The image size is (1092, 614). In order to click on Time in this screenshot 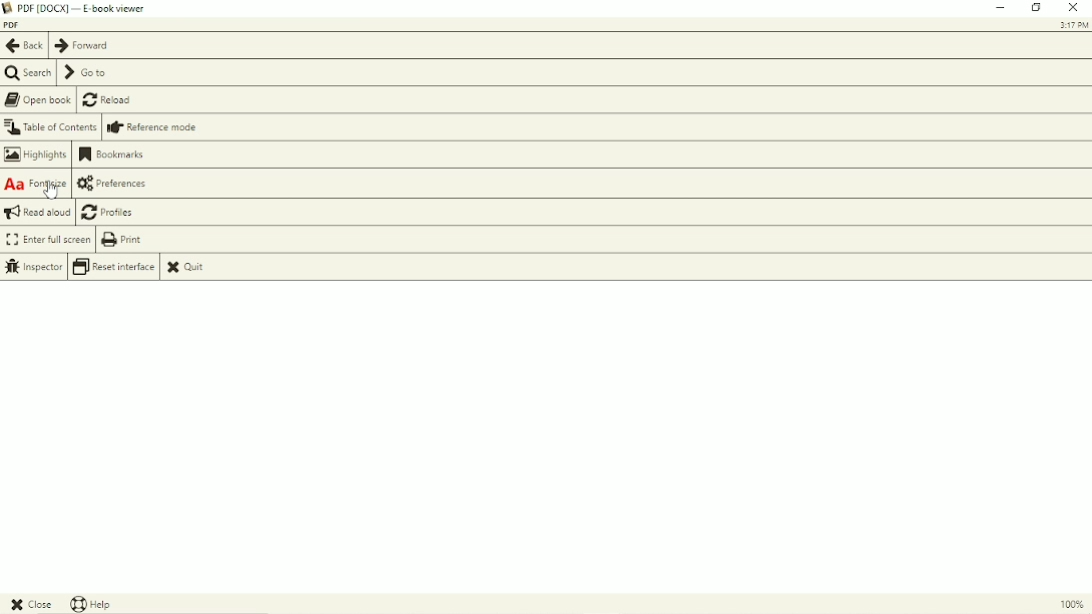, I will do `click(1074, 26)`.